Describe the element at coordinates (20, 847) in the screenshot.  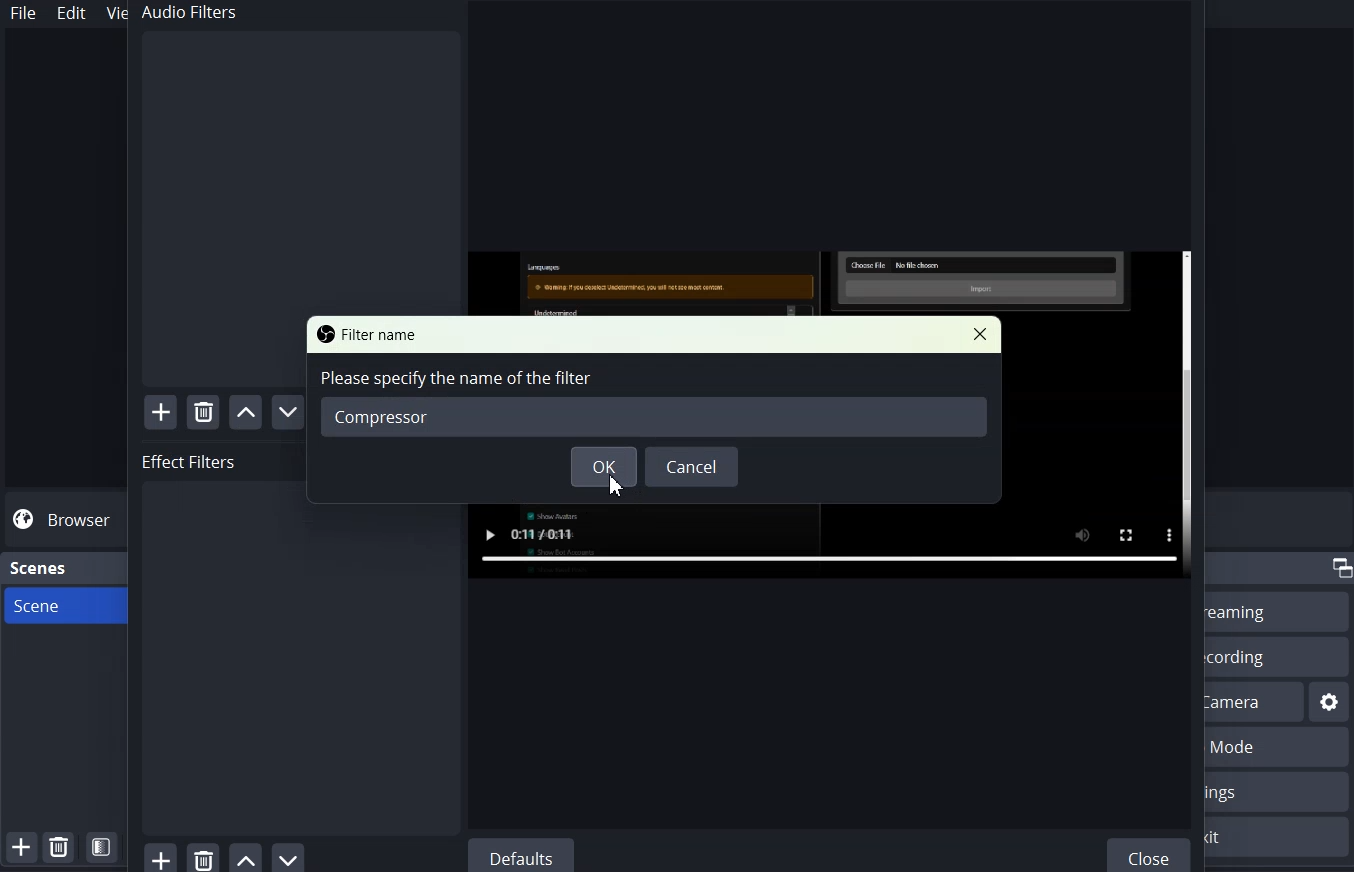
I see `Add Scene` at that location.